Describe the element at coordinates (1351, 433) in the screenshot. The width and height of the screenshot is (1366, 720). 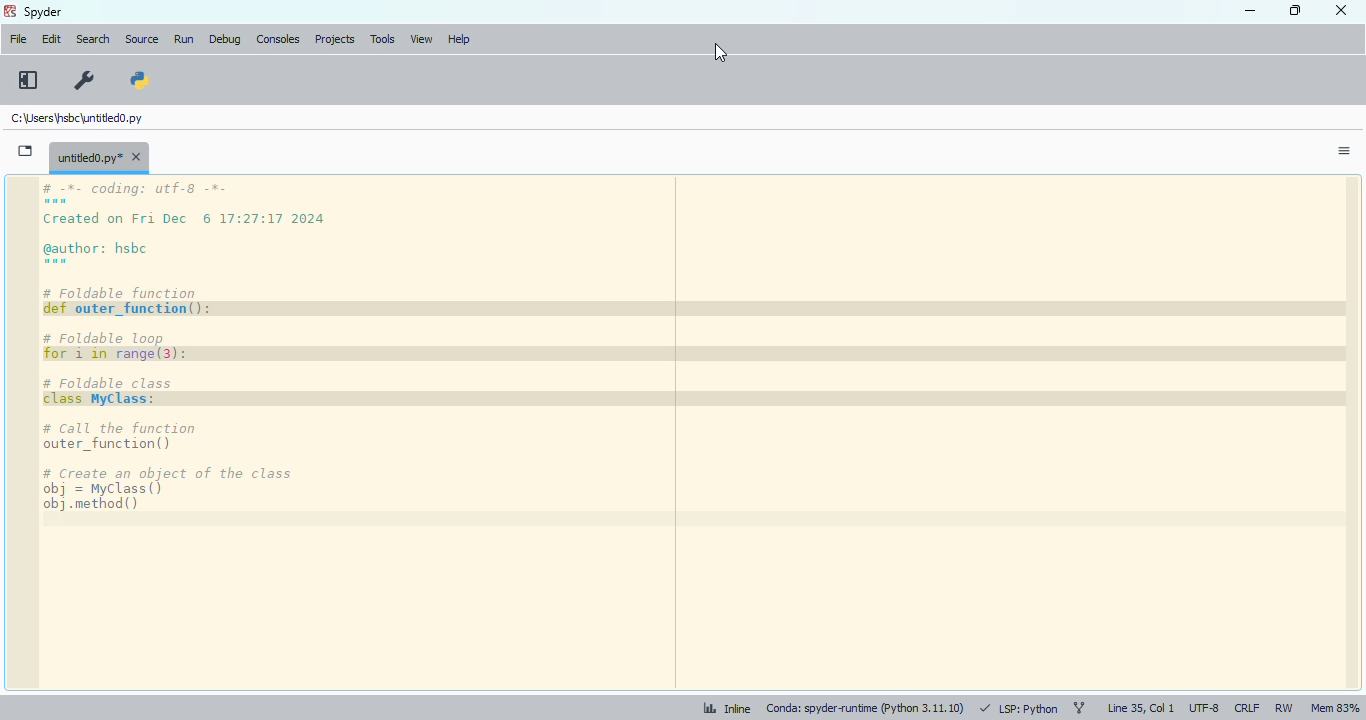
I see `scrollbar` at that location.